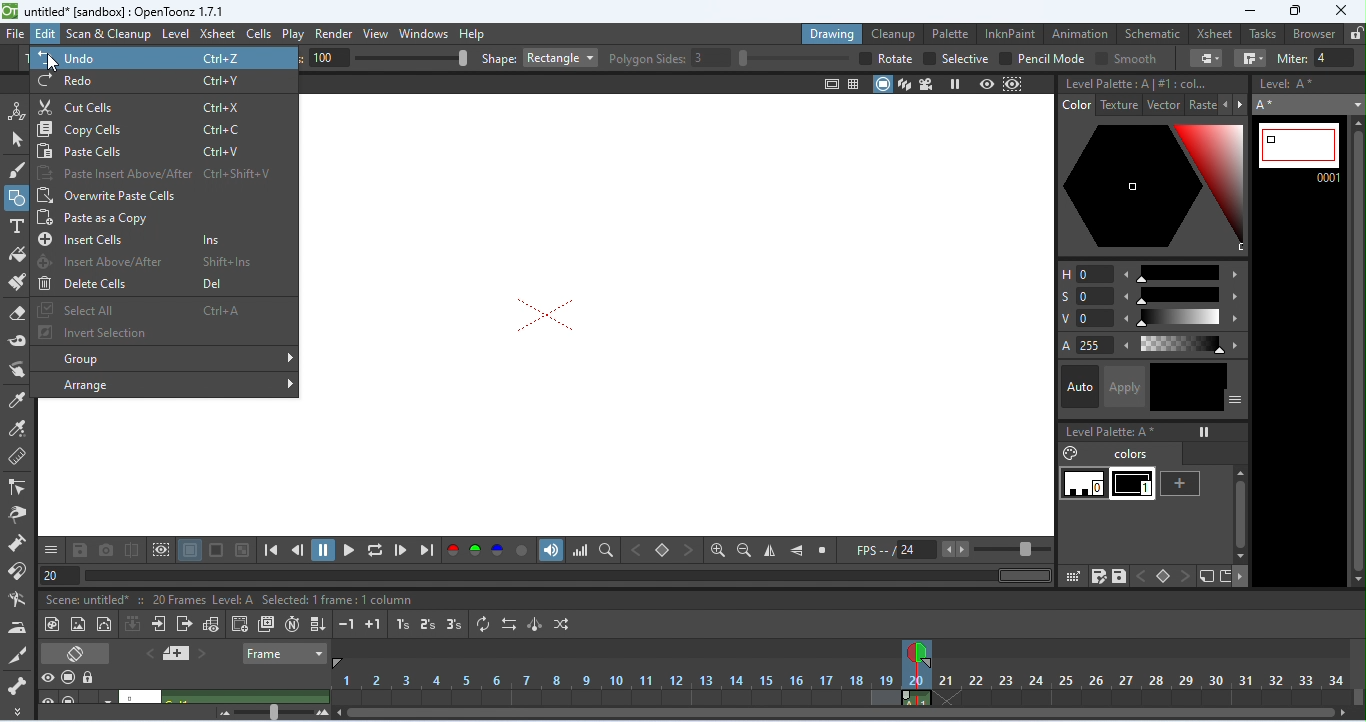 Image resolution: width=1366 pixels, height=722 pixels. What do you see at coordinates (661, 550) in the screenshot?
I see `set key` at bounding box center [661, 550].